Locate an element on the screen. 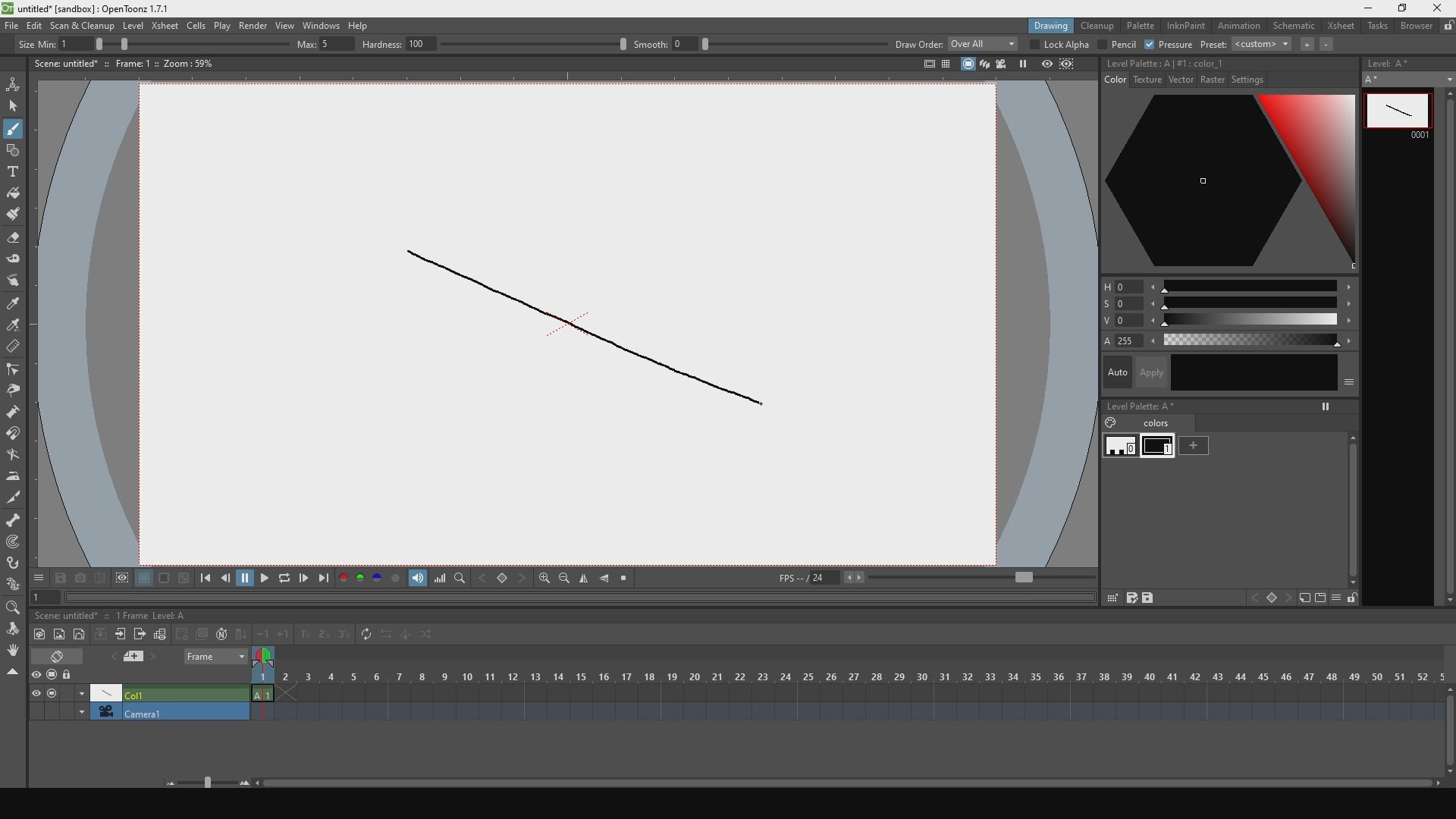  pencil is located at coordinates (1116, 45).